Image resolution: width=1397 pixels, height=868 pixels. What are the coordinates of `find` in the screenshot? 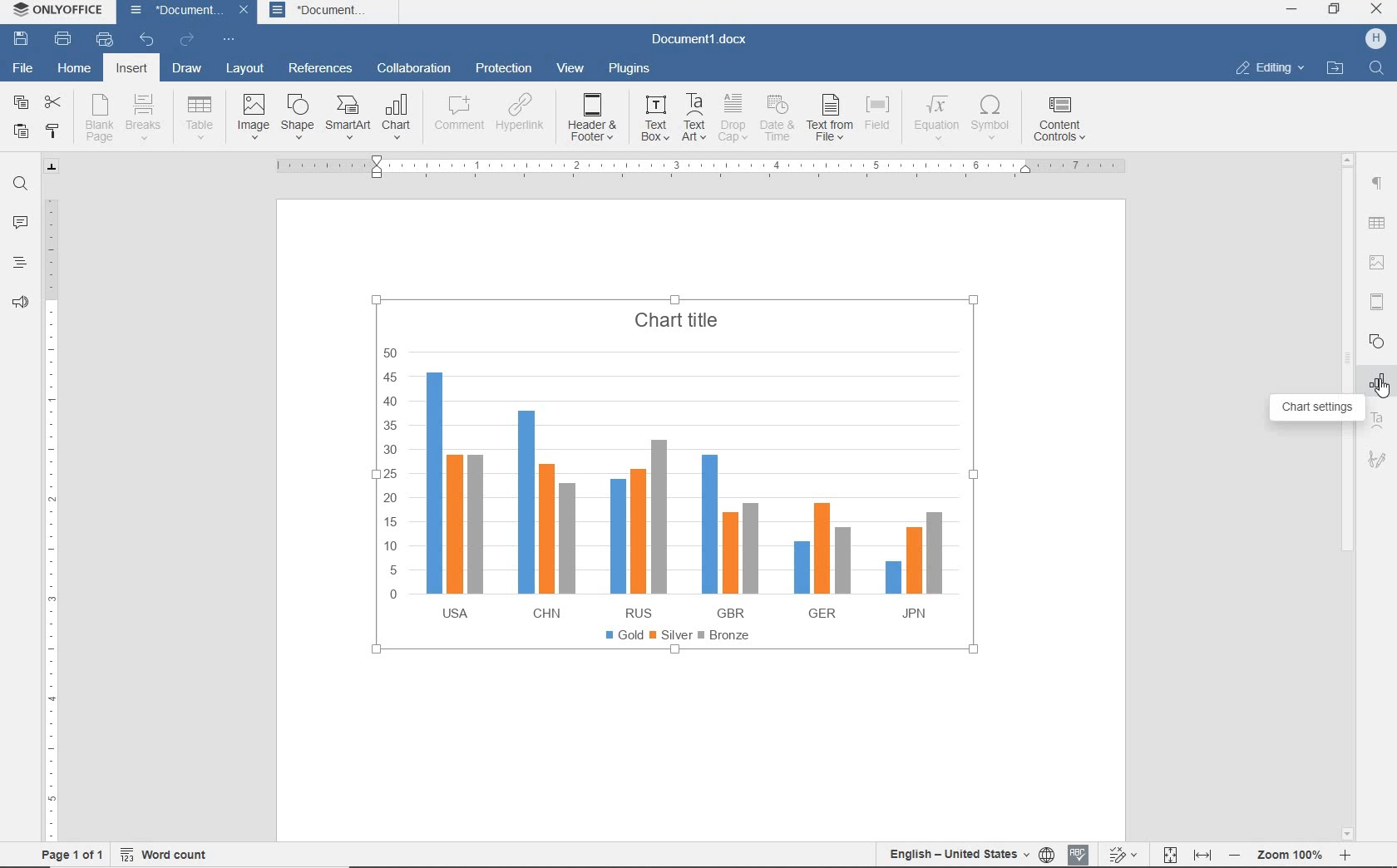 It's located at (1375, 67).